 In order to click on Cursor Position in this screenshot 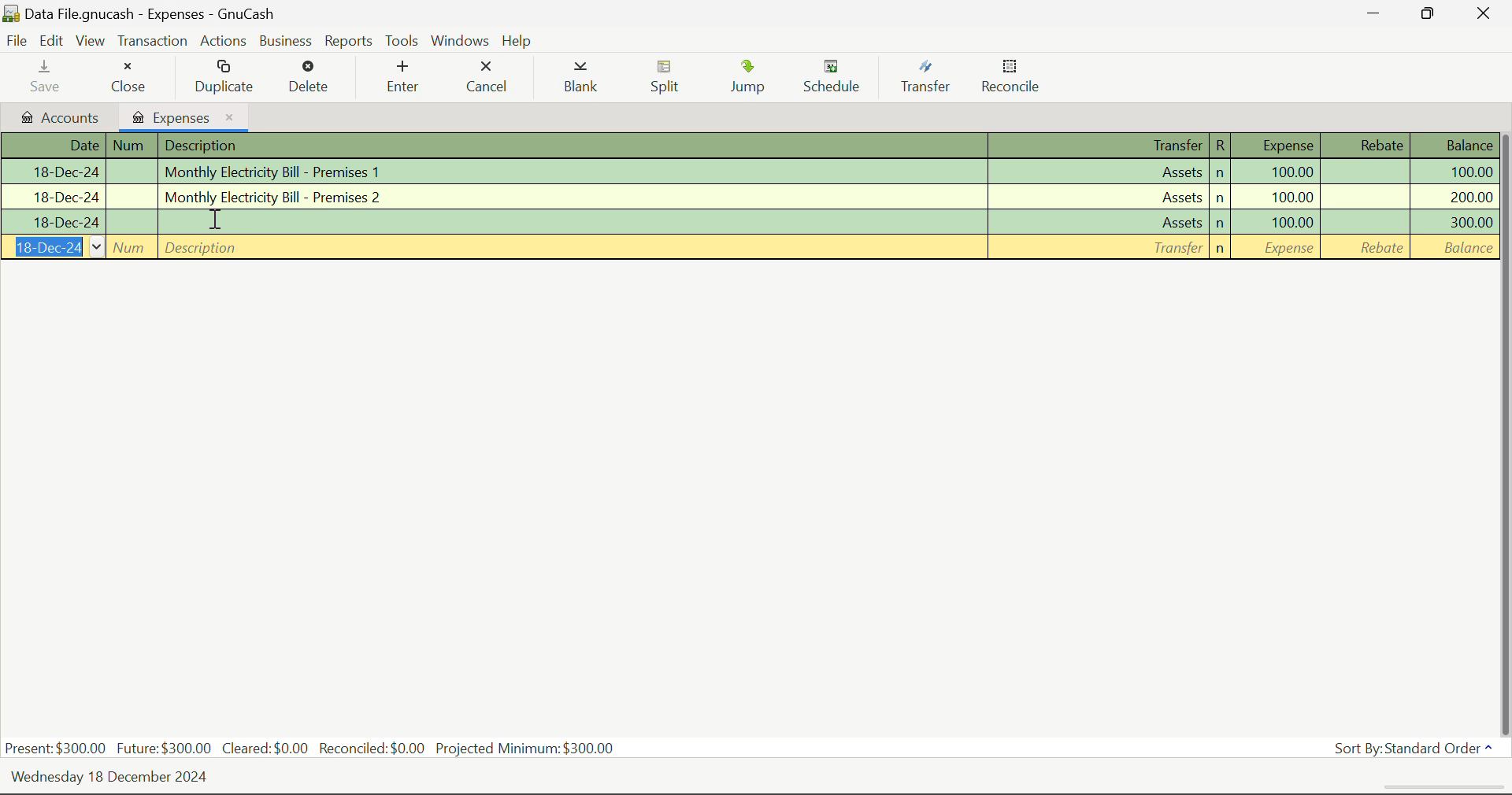, I will do `click(216, 217)`.